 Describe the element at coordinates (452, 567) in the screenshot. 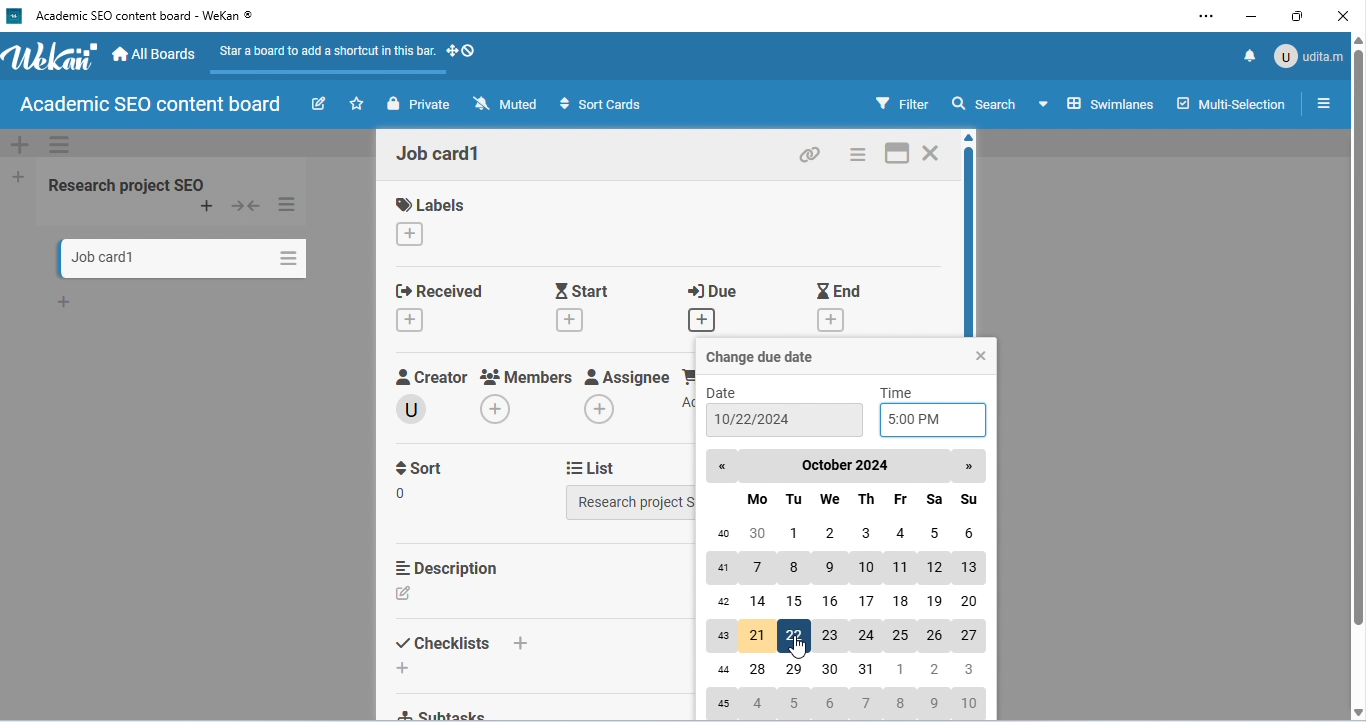

I see `description` at that location.